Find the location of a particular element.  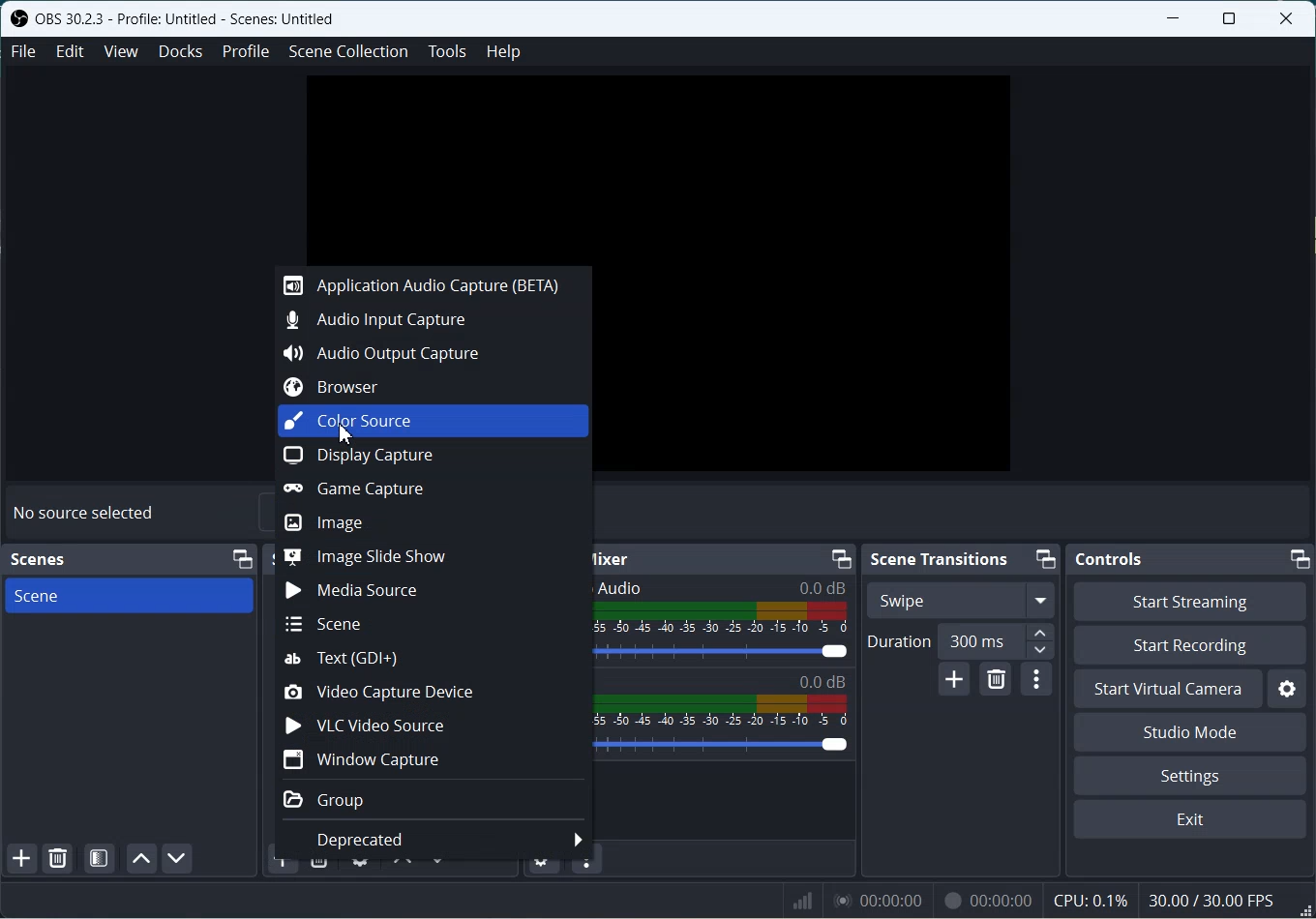

Add configurable transition is located at coordinates (956, 681).